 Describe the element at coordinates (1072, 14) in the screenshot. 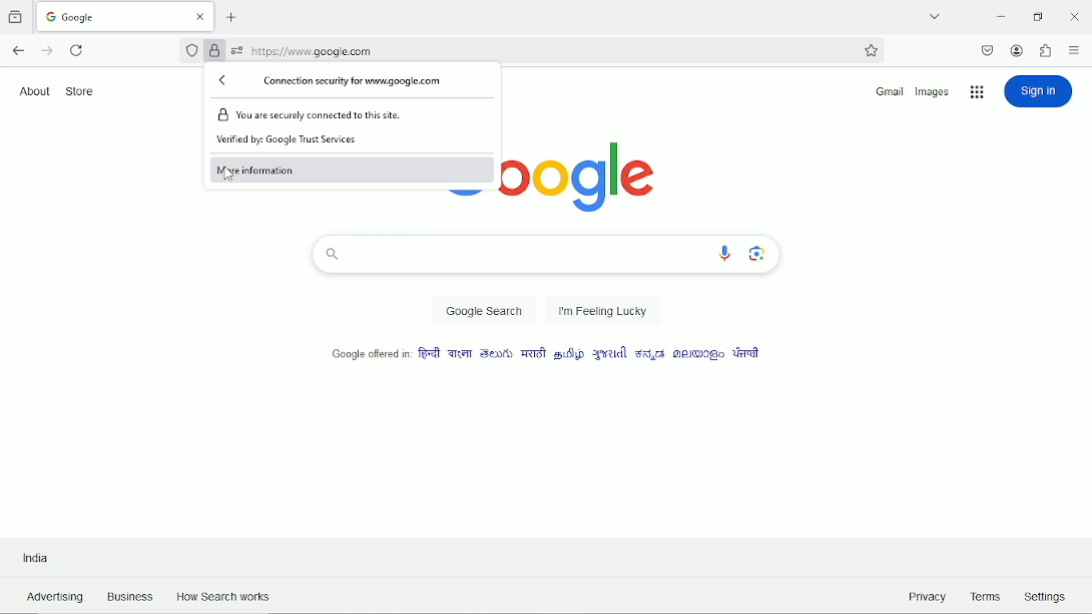

I see `Close` at that location.